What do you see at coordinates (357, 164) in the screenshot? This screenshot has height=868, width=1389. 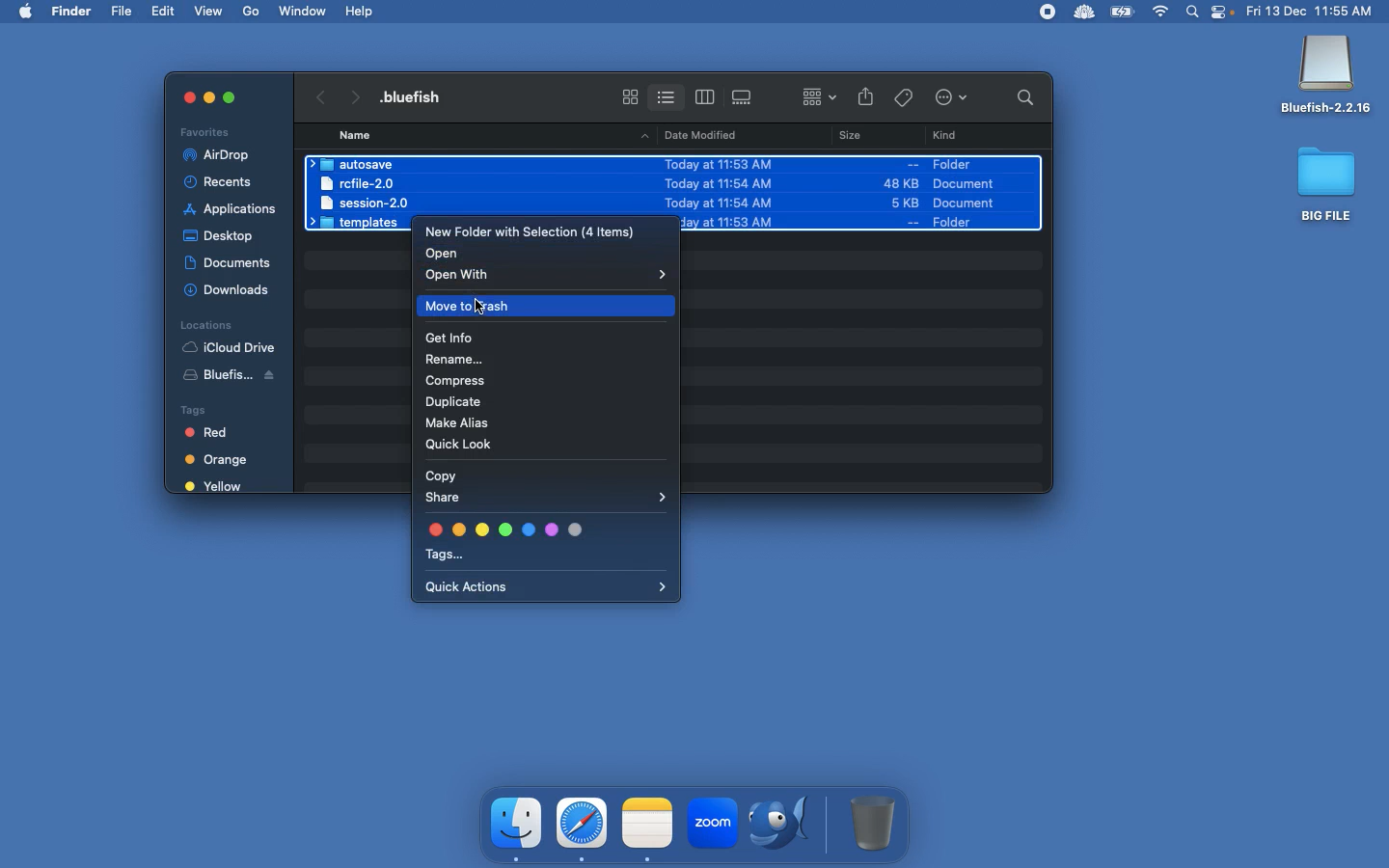 I see `autosave` at bounding box center [357, 164].